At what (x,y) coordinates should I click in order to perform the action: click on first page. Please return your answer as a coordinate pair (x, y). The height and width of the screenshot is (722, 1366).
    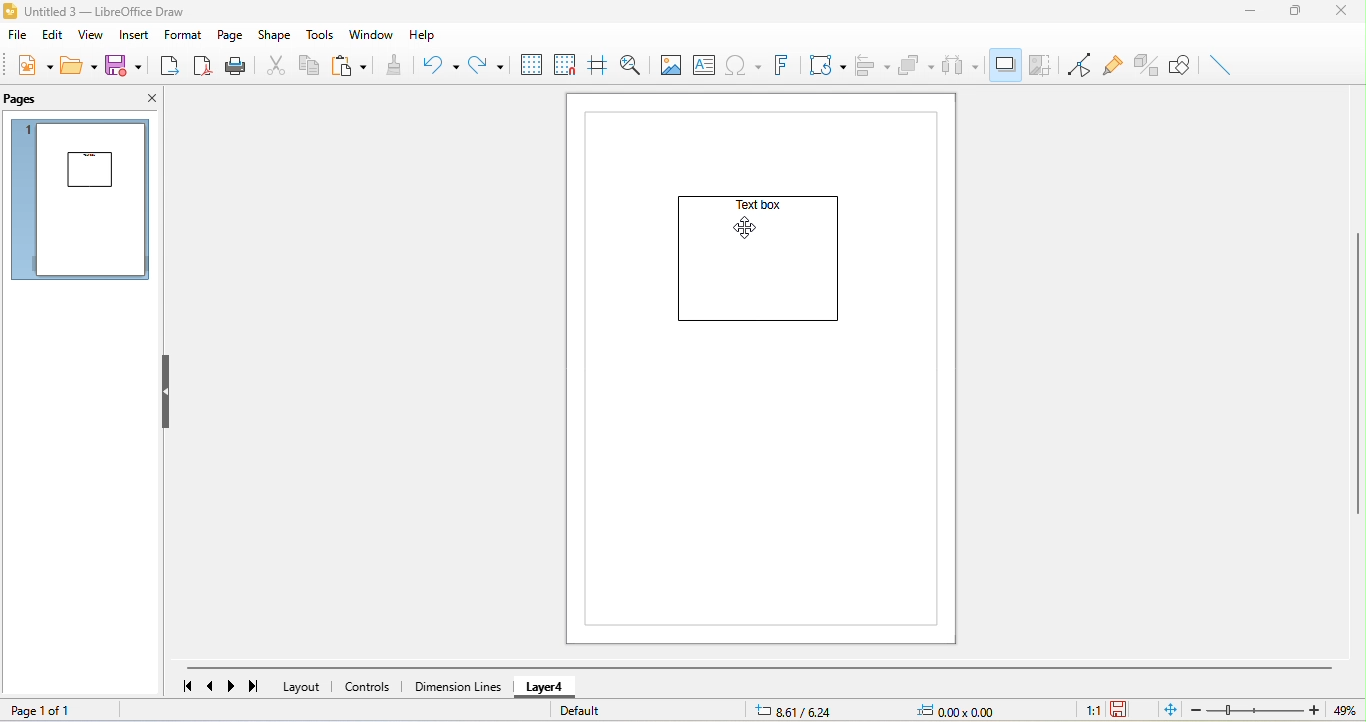
    Looking at the image, I should click on (185, 685).